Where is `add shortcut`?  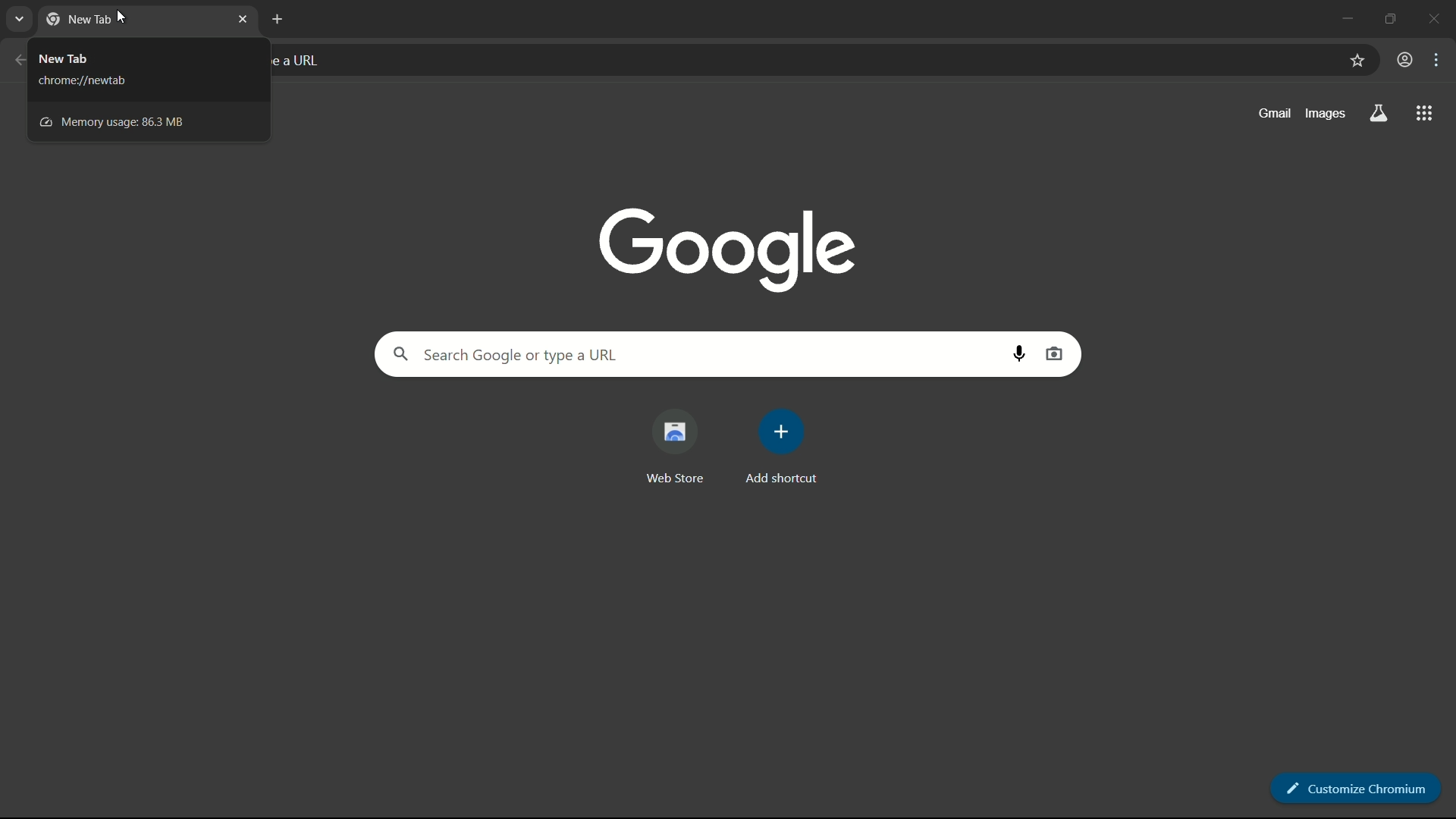 add shortcut is located at coordinates (780, 448).